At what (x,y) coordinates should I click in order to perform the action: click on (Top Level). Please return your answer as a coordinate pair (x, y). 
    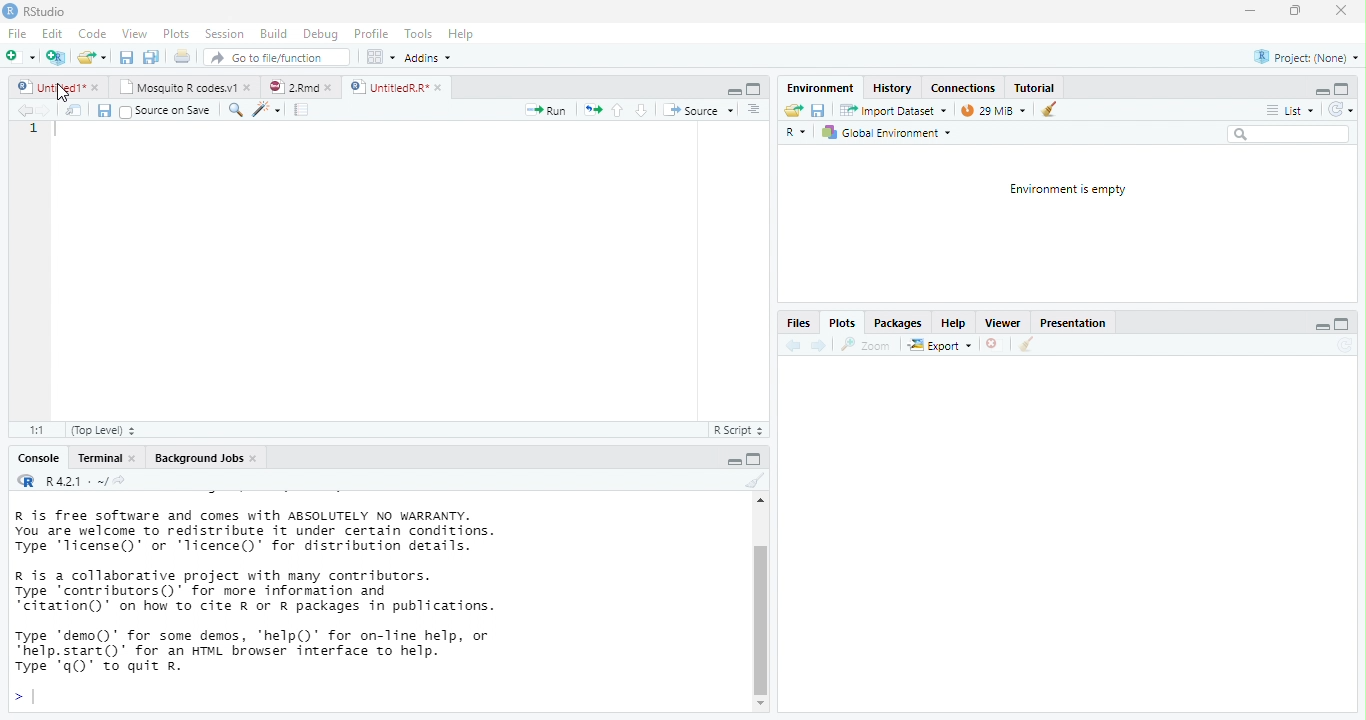
    Looking at the image, I should click on (98, 431).